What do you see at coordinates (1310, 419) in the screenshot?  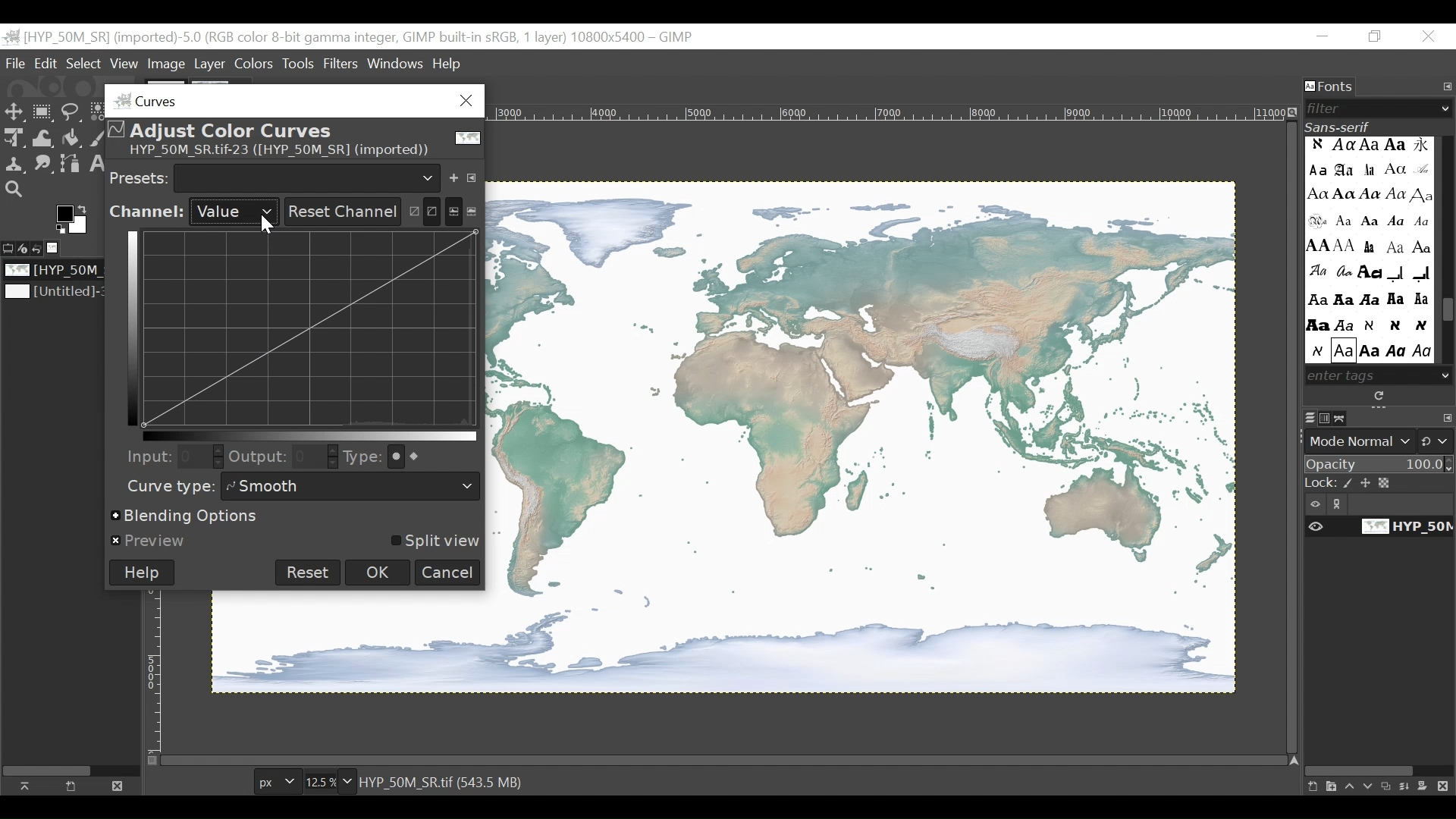 I see `Layers` at bounding box center [1310, 419].